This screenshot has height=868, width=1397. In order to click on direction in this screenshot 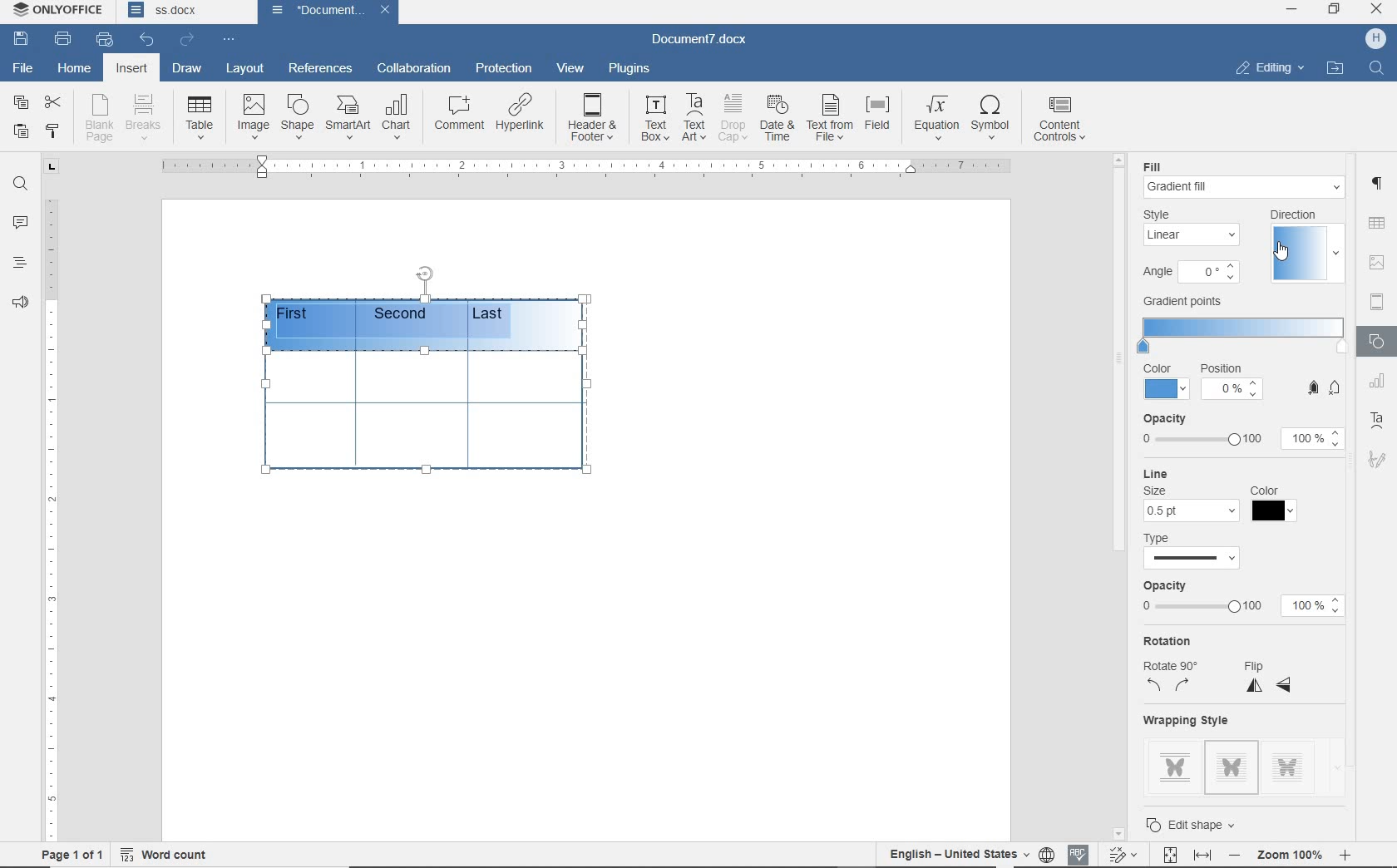, I will do `click(1301, 215)`.